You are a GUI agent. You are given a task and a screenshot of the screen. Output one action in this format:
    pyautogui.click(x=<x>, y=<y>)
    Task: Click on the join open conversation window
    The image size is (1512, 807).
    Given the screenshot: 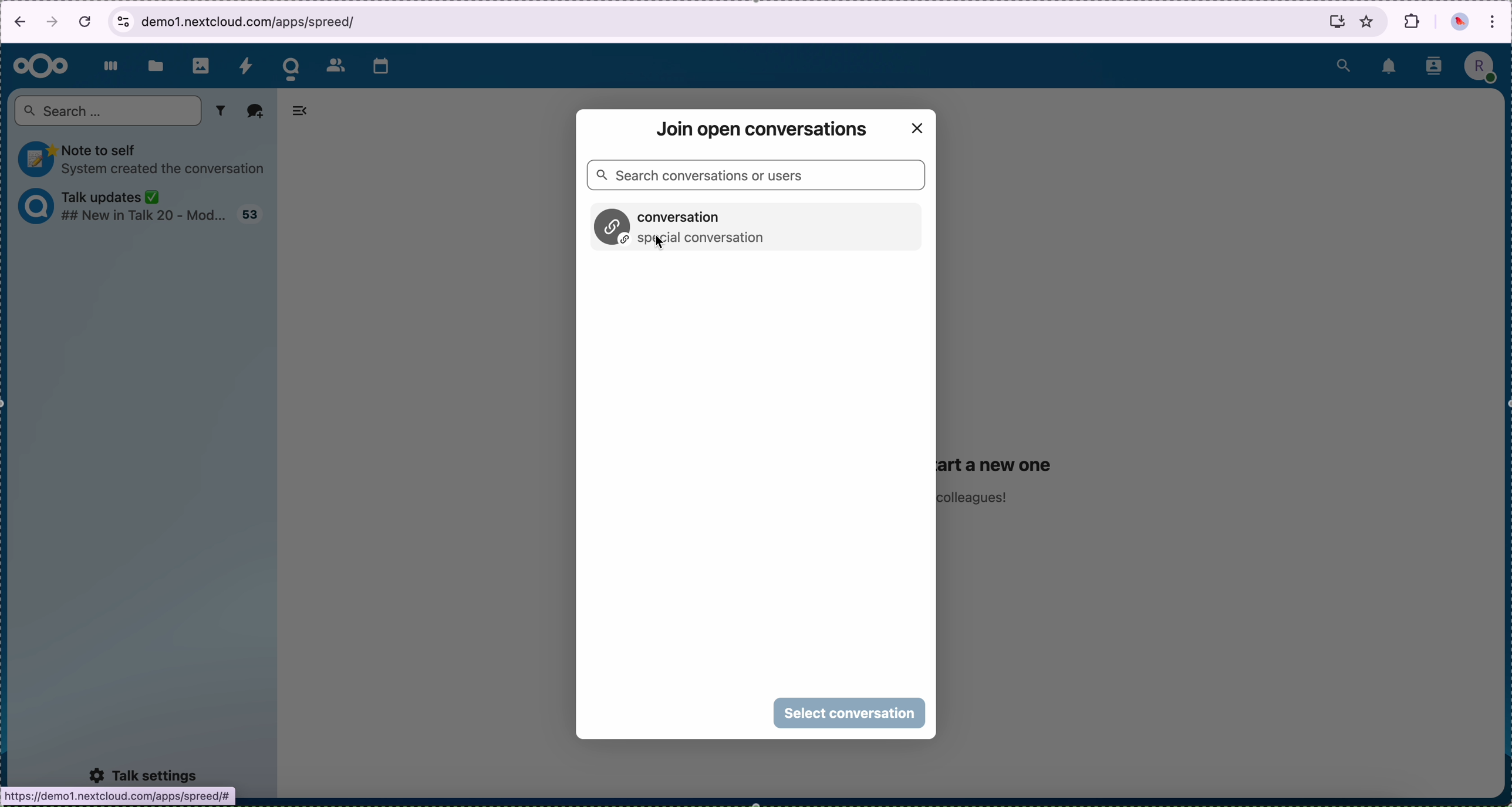 What is the action you would take?
    pyautogui.click(x=761, y=127)
    